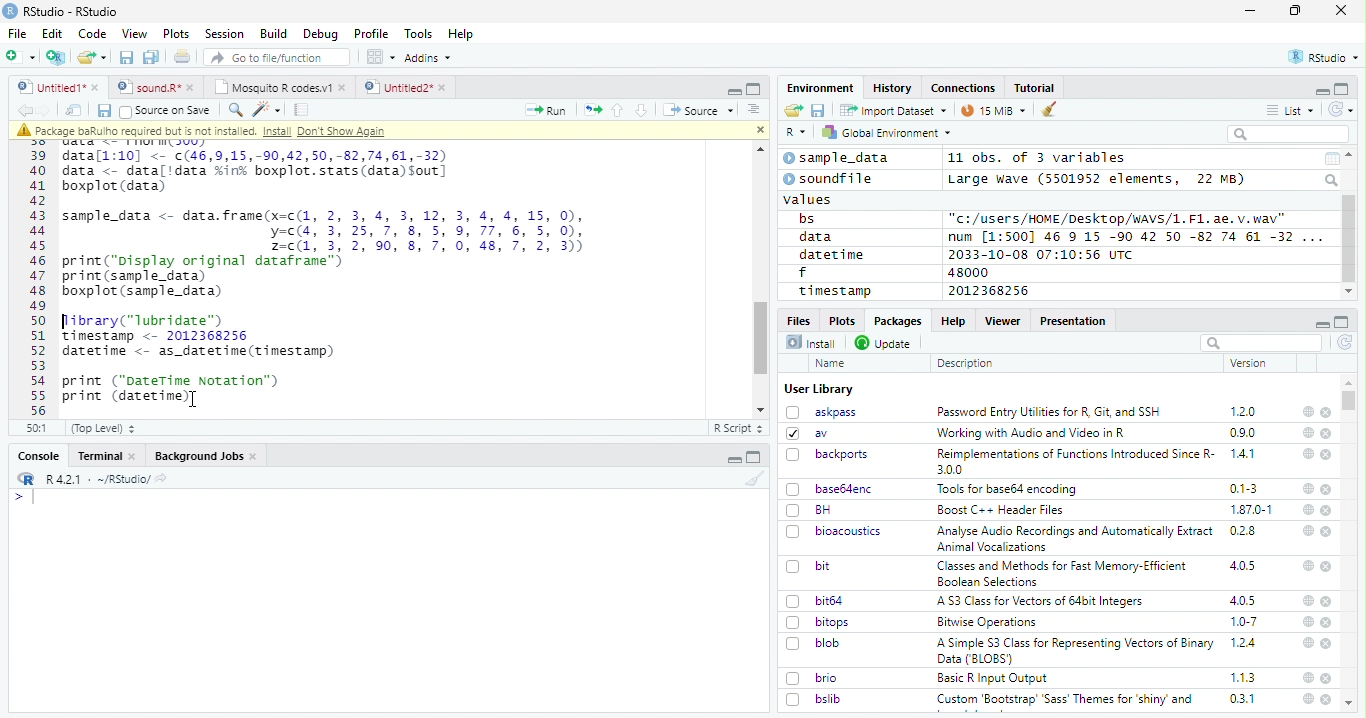 Image resolution: width=1366 pixels, height=718 pixels. I want to click on close, so click(1328, 602).